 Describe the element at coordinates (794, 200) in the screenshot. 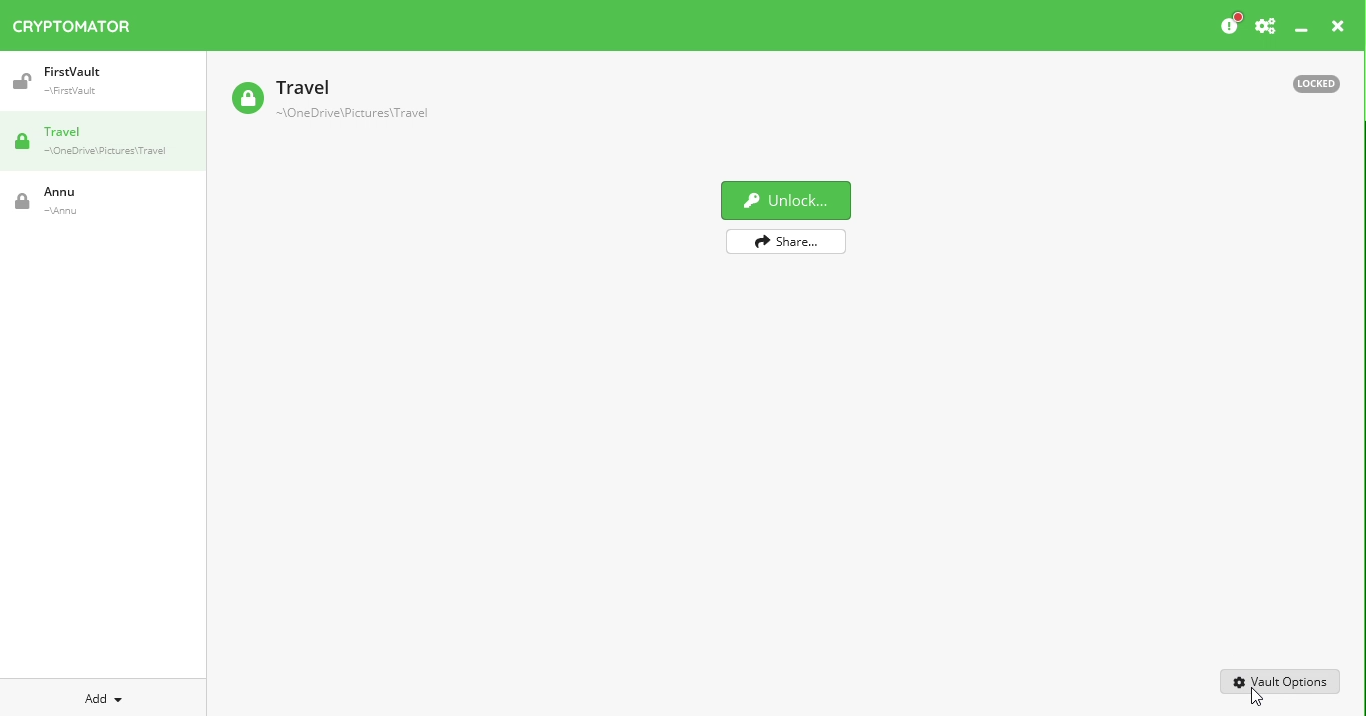

I see `Unlock vault` at that location.